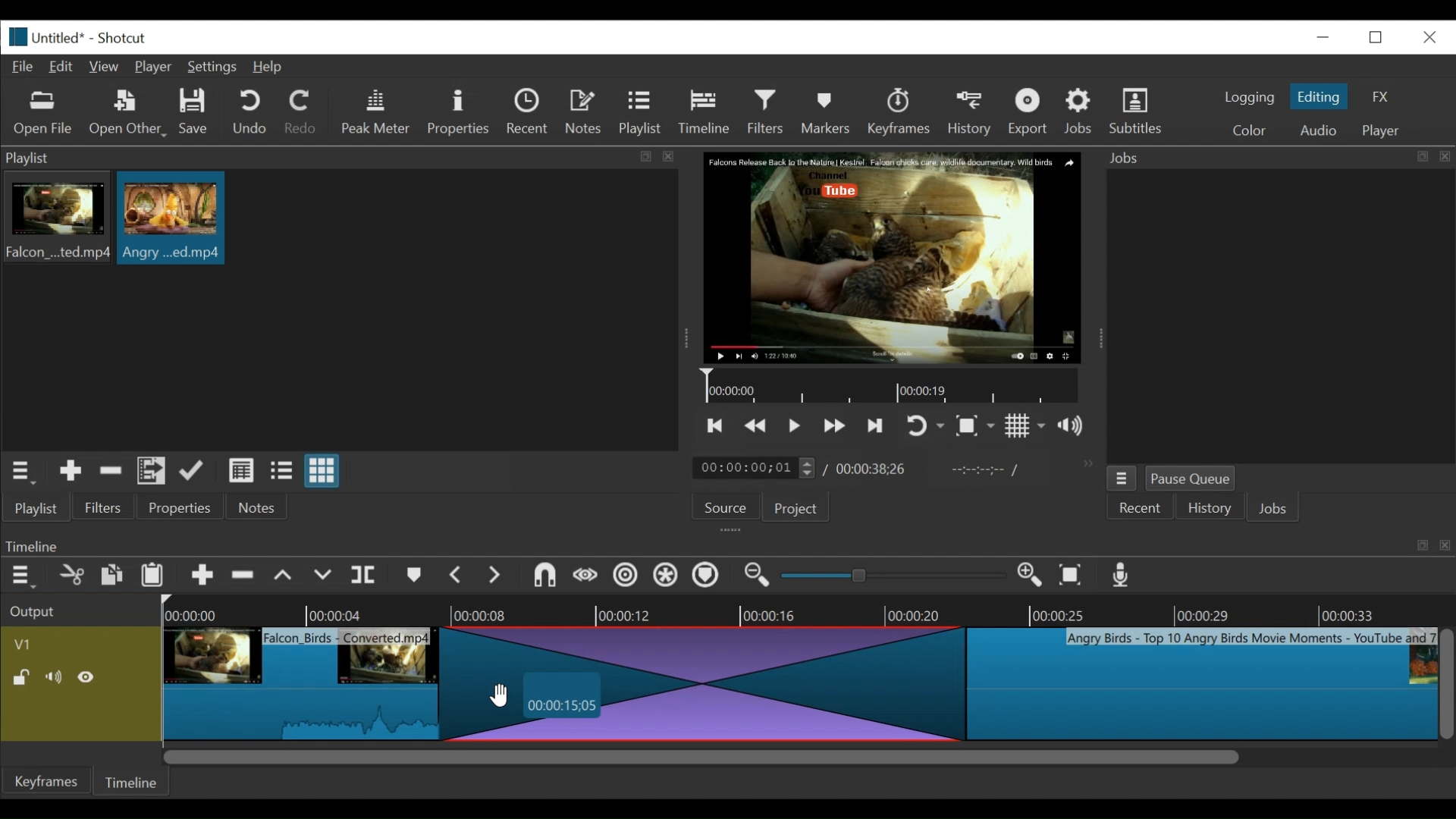 This screenshot has width=1456, height=819. Describe the element at coordinates (81, 644) in the screenshot. I see `Video track` at that location.